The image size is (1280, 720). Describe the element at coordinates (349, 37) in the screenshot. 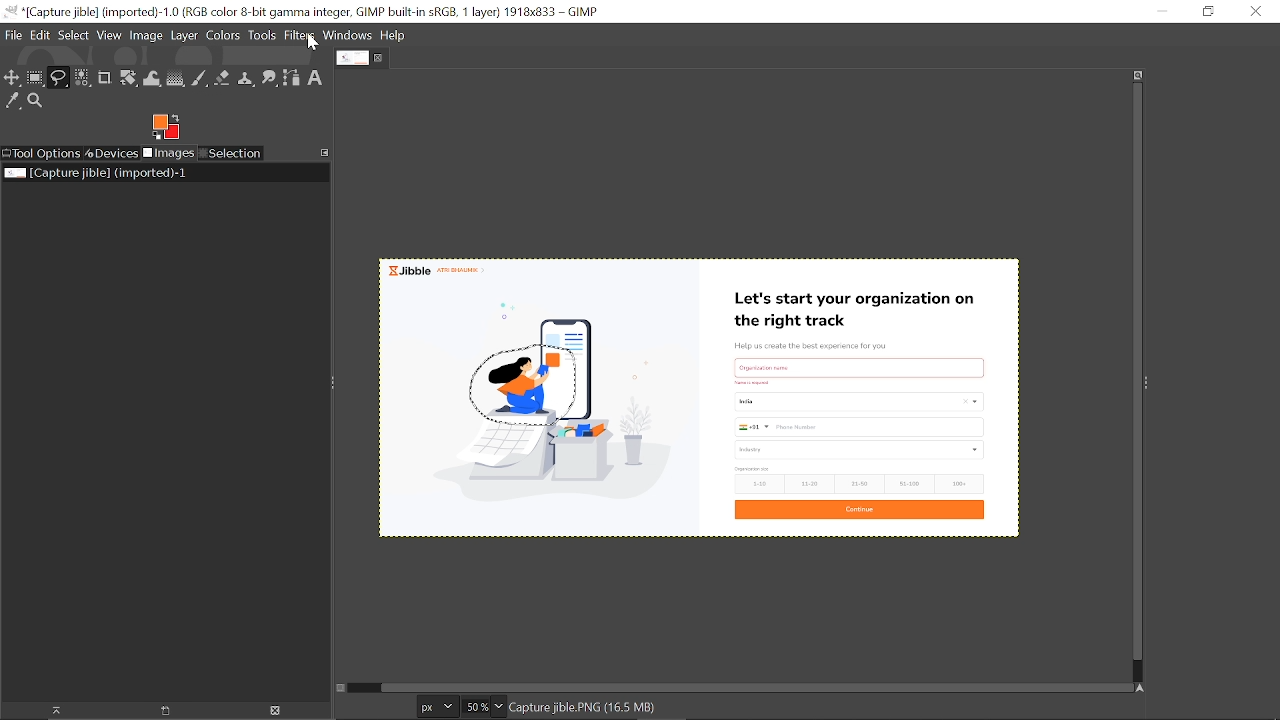

I see `Windows` at that location.